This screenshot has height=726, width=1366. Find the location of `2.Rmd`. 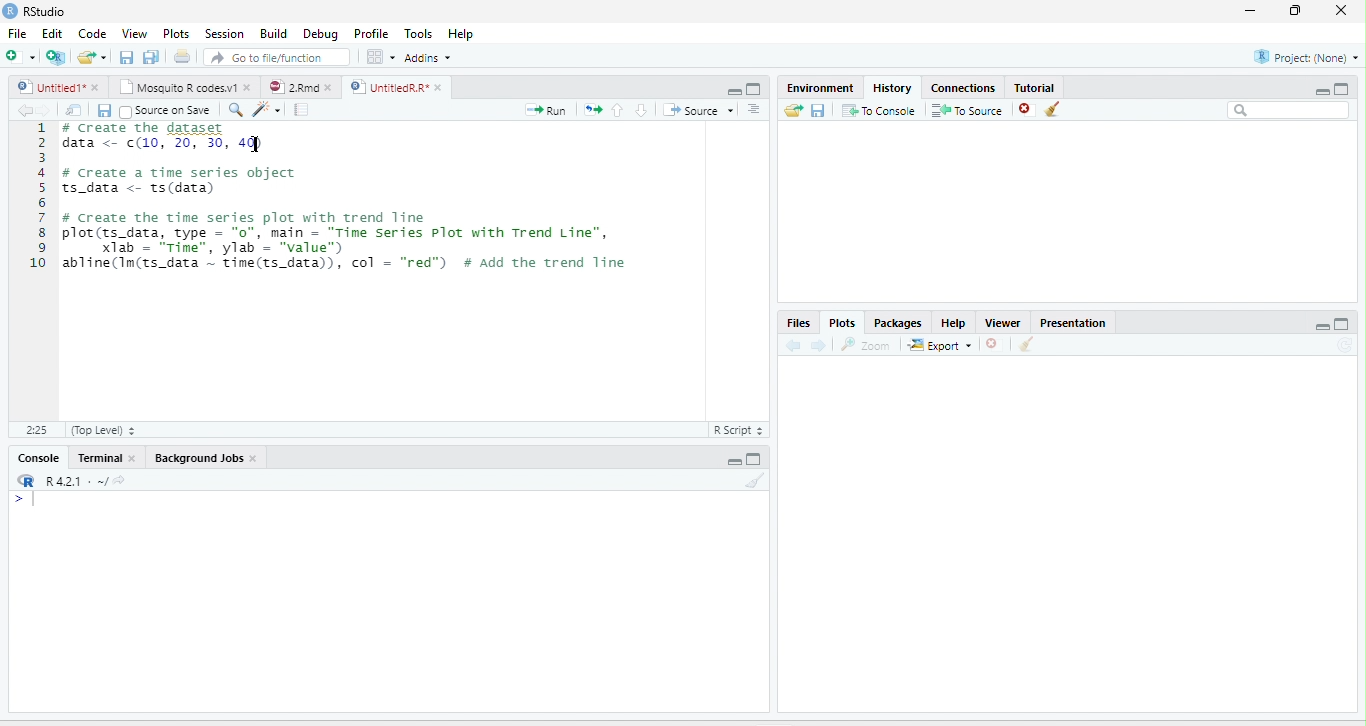

2.Rmd is located at coordinates (291, 87).